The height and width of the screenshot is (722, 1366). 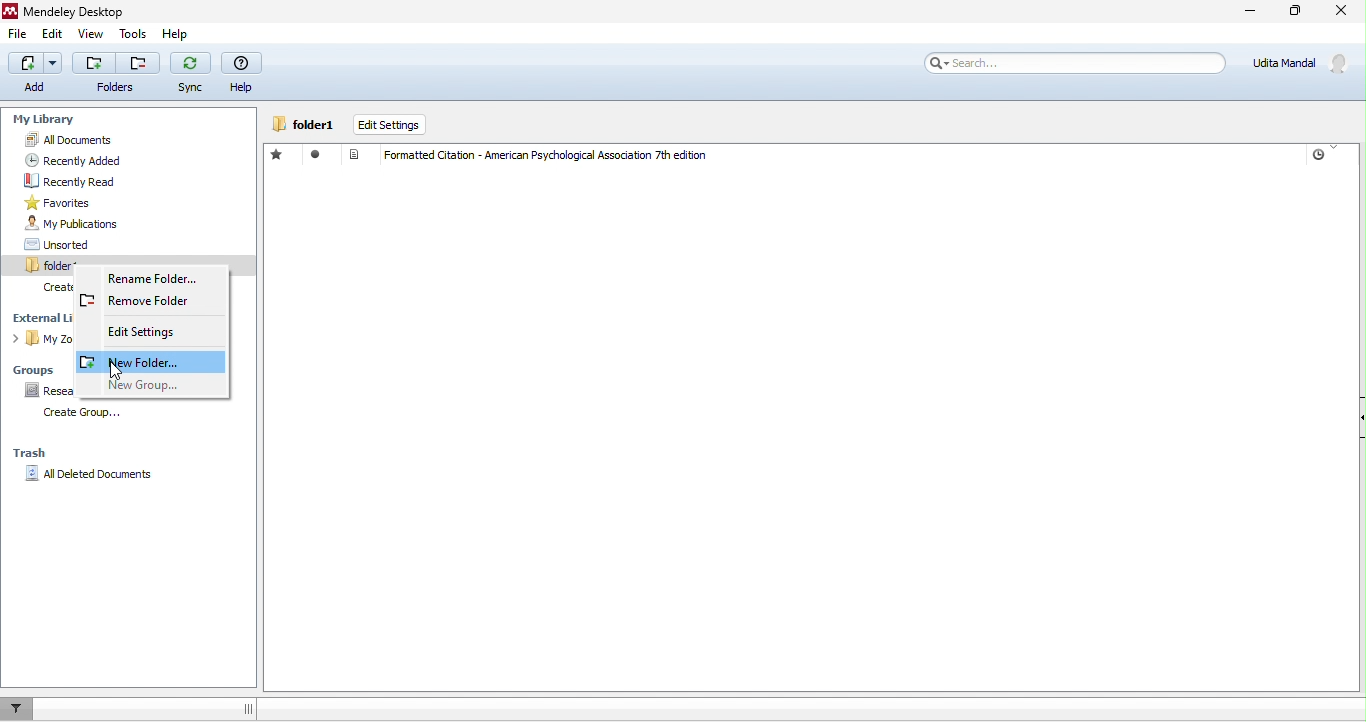 What do you see at coordinates (85, 223) in the screenshot?
I see `my publications` at bounding box center [85, 223].